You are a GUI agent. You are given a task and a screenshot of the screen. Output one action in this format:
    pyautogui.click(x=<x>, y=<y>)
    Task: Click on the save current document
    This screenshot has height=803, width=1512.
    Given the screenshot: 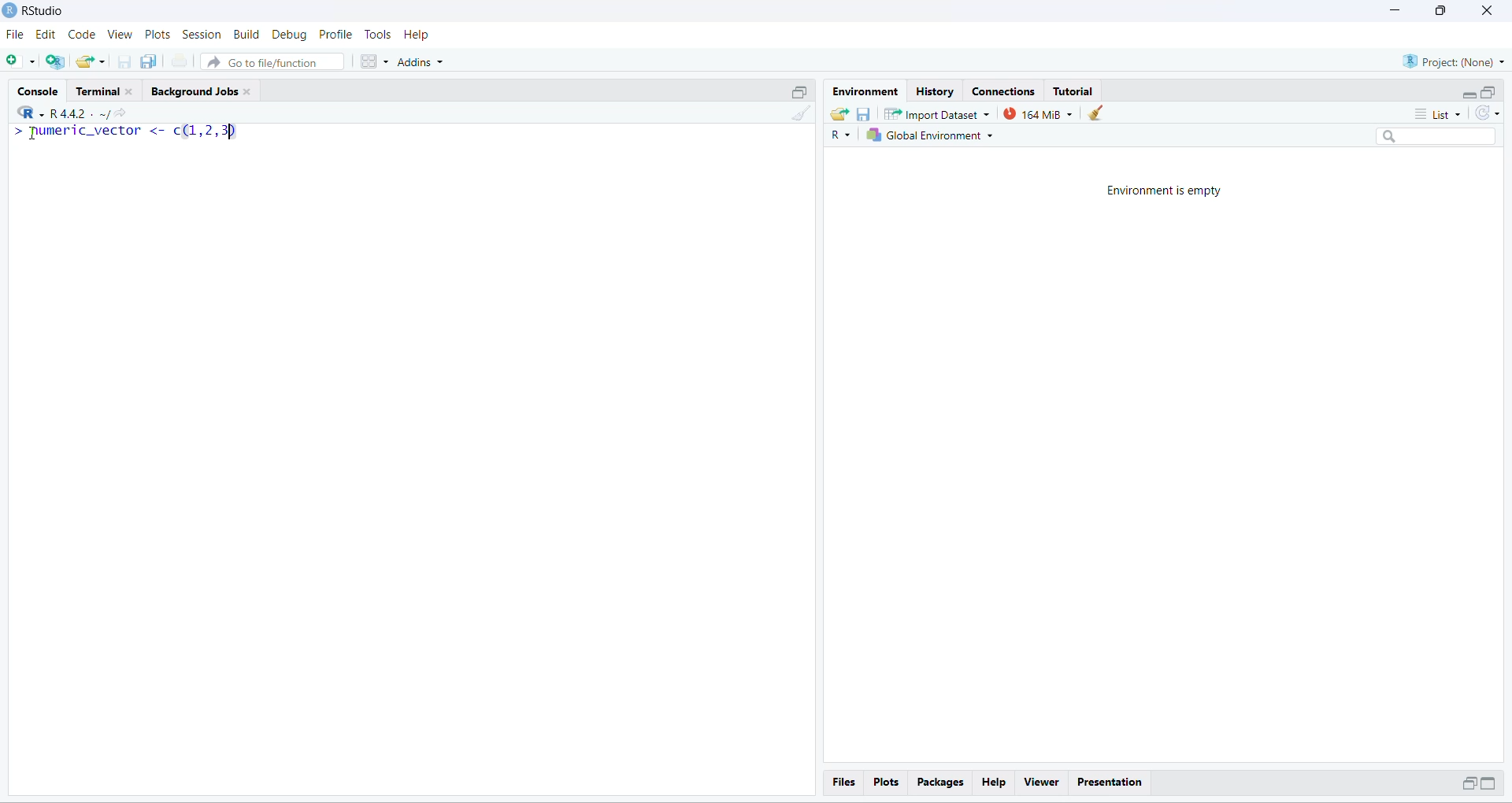 What is the action you would take?
    pyautogui.click(x=124, y=62)
    